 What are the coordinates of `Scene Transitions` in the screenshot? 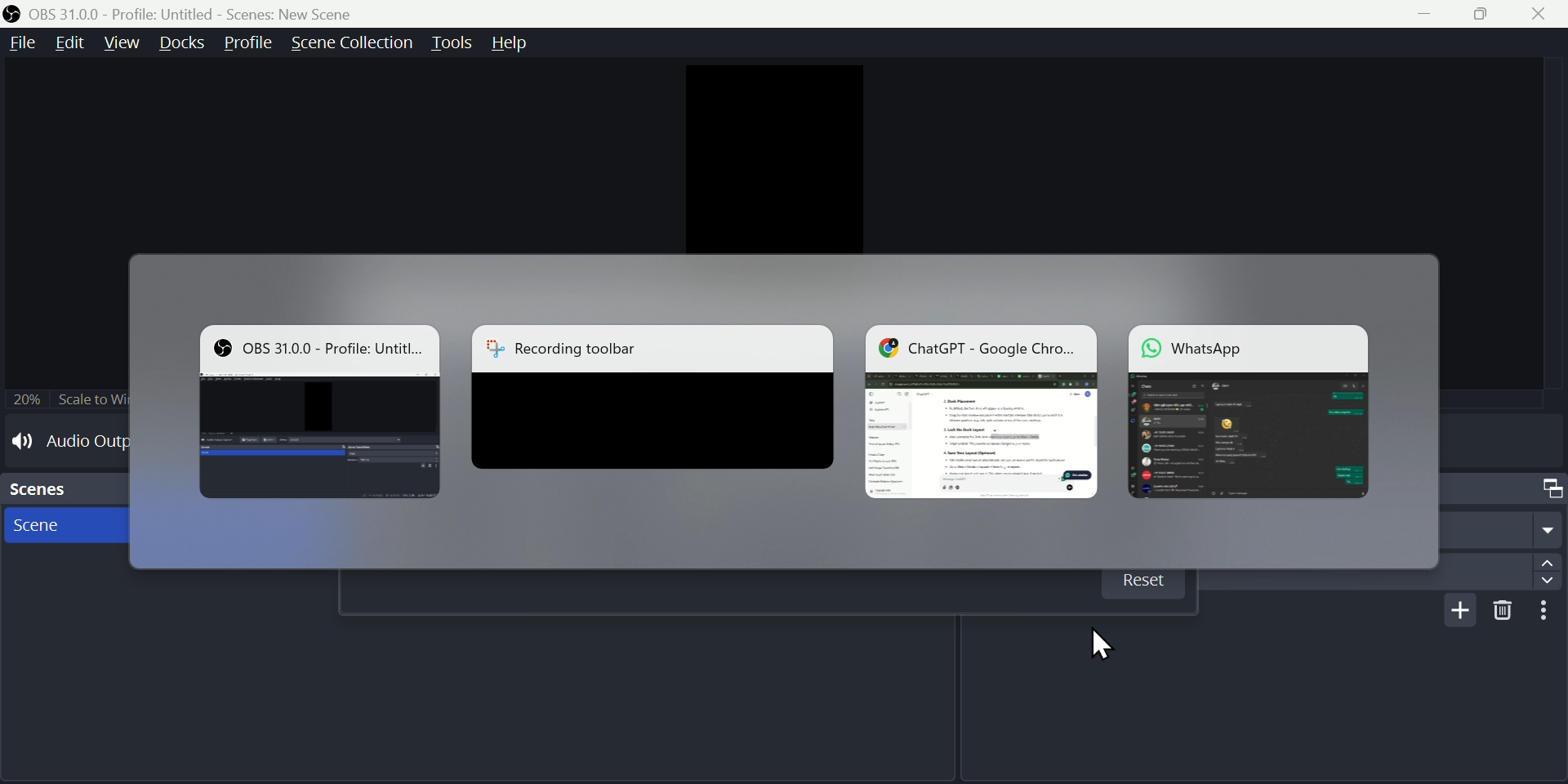 It's located at (1503, 490).